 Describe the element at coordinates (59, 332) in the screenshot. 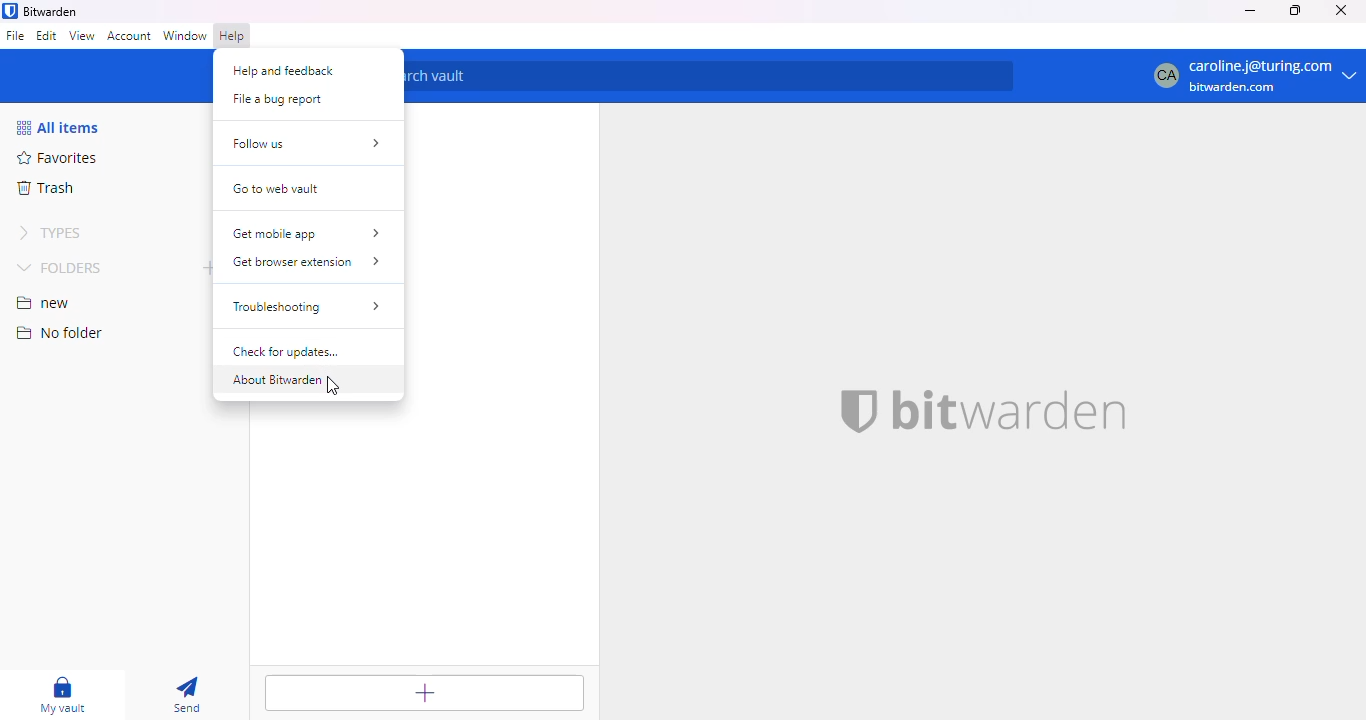

I see `no folder` at that location.